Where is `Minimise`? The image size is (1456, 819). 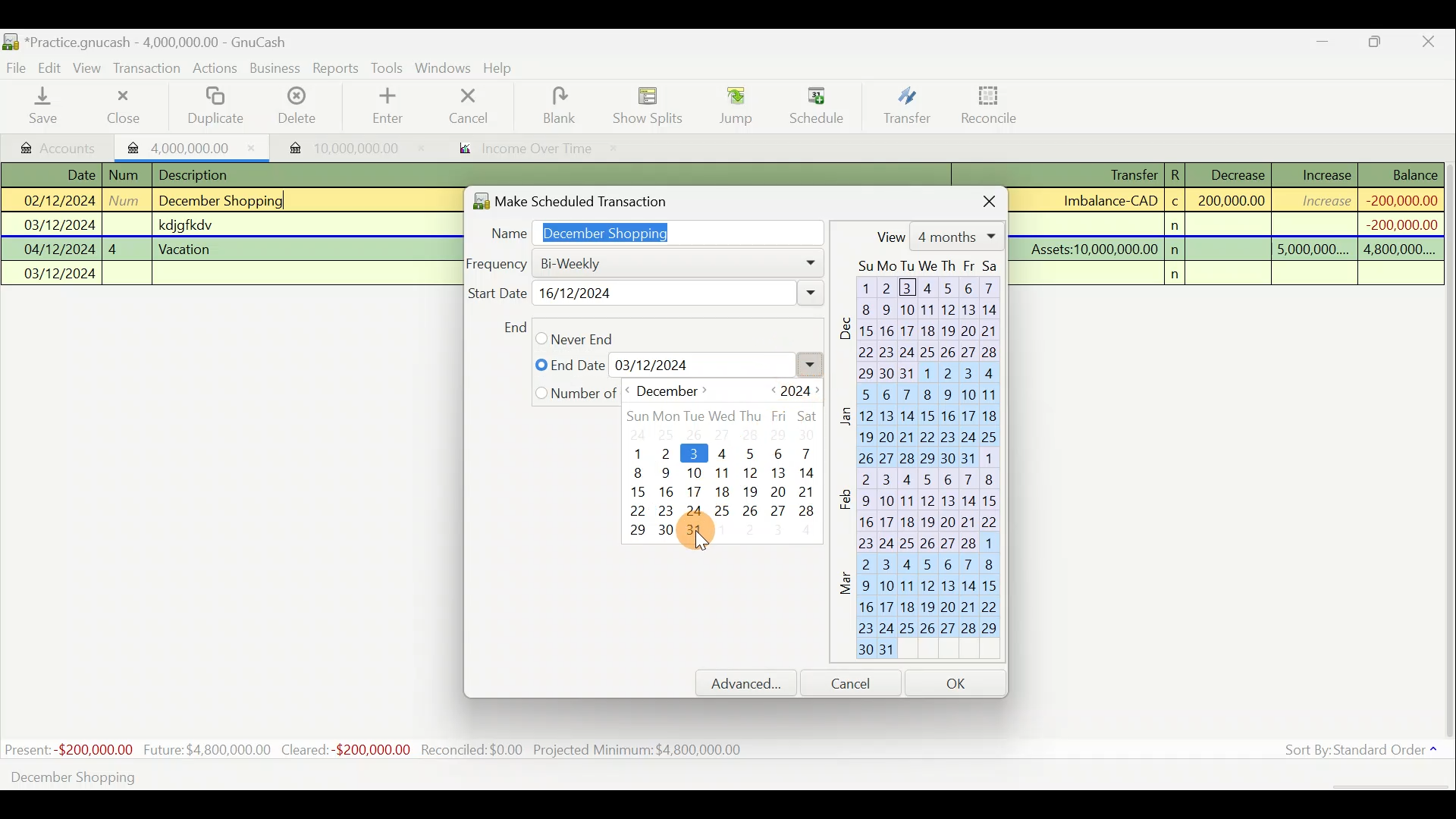 Minimise is located at coordinates (1323, 45).